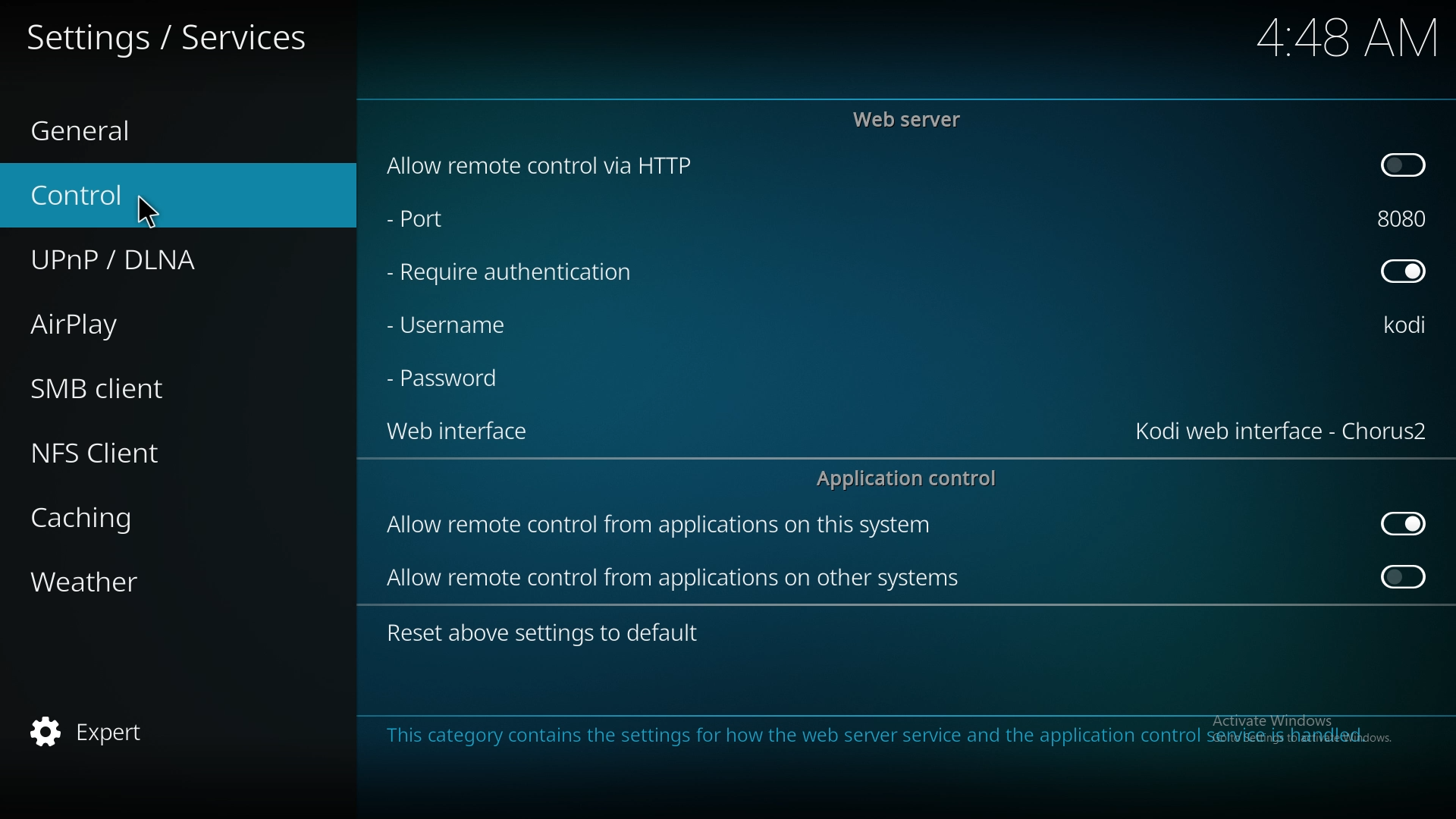  I want to click on smb client, so click(120, 388).